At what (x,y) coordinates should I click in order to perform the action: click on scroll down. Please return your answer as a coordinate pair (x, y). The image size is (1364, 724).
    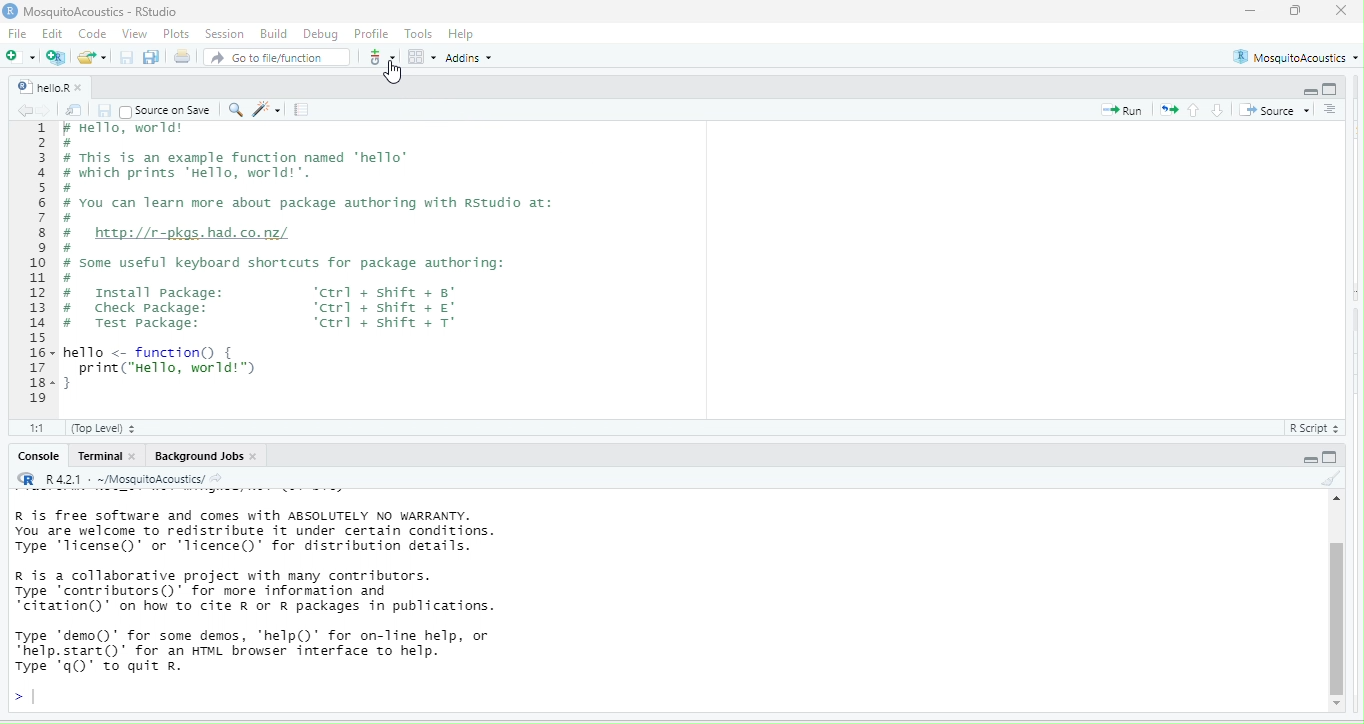
    Looking at the image, I should click on (1338, 703).